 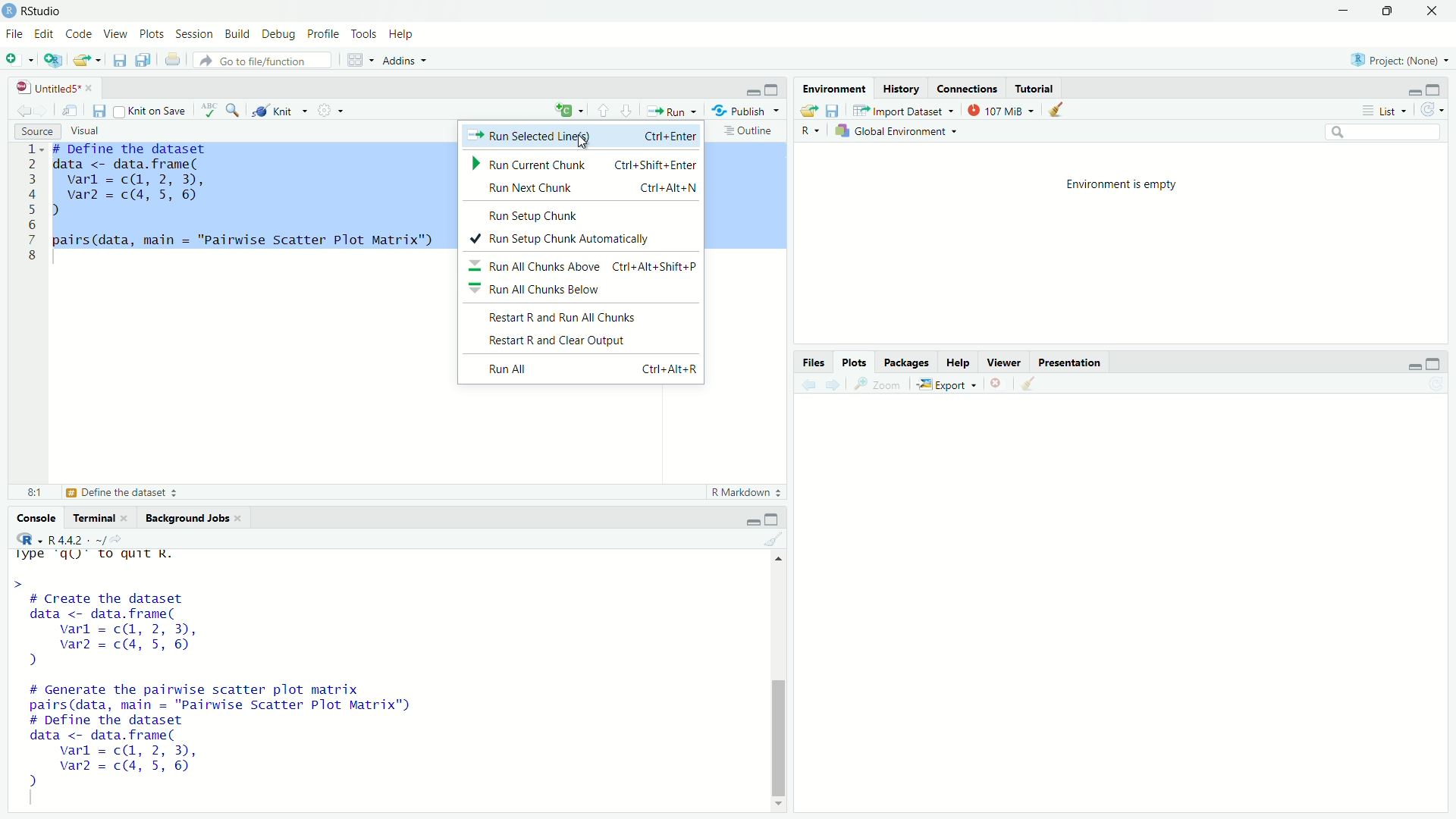 I want to click on Clear console (Ctrl +L), so click(x=1056, y=108).